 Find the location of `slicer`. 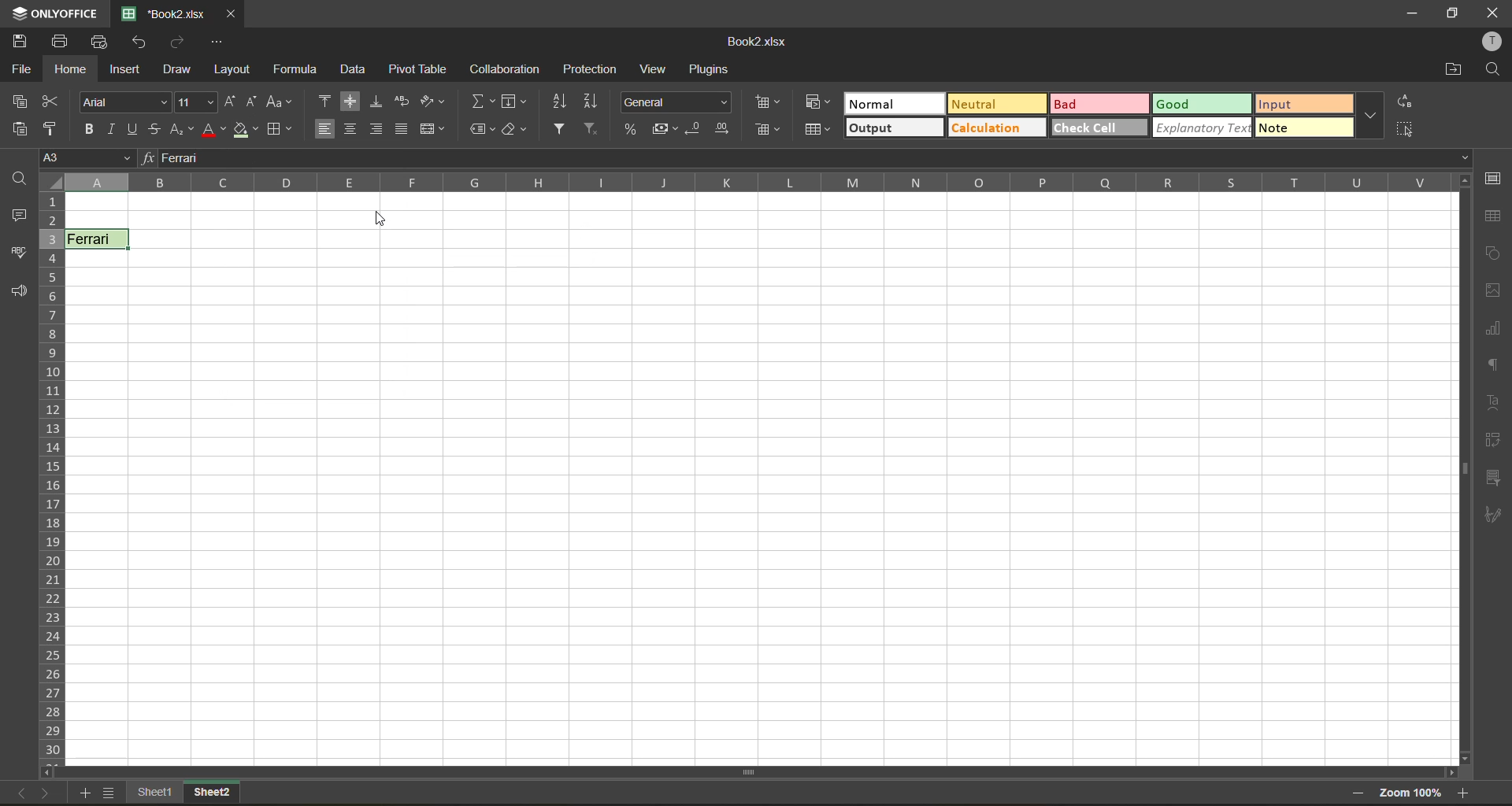

slicer is located at coordinates (1497, 478).